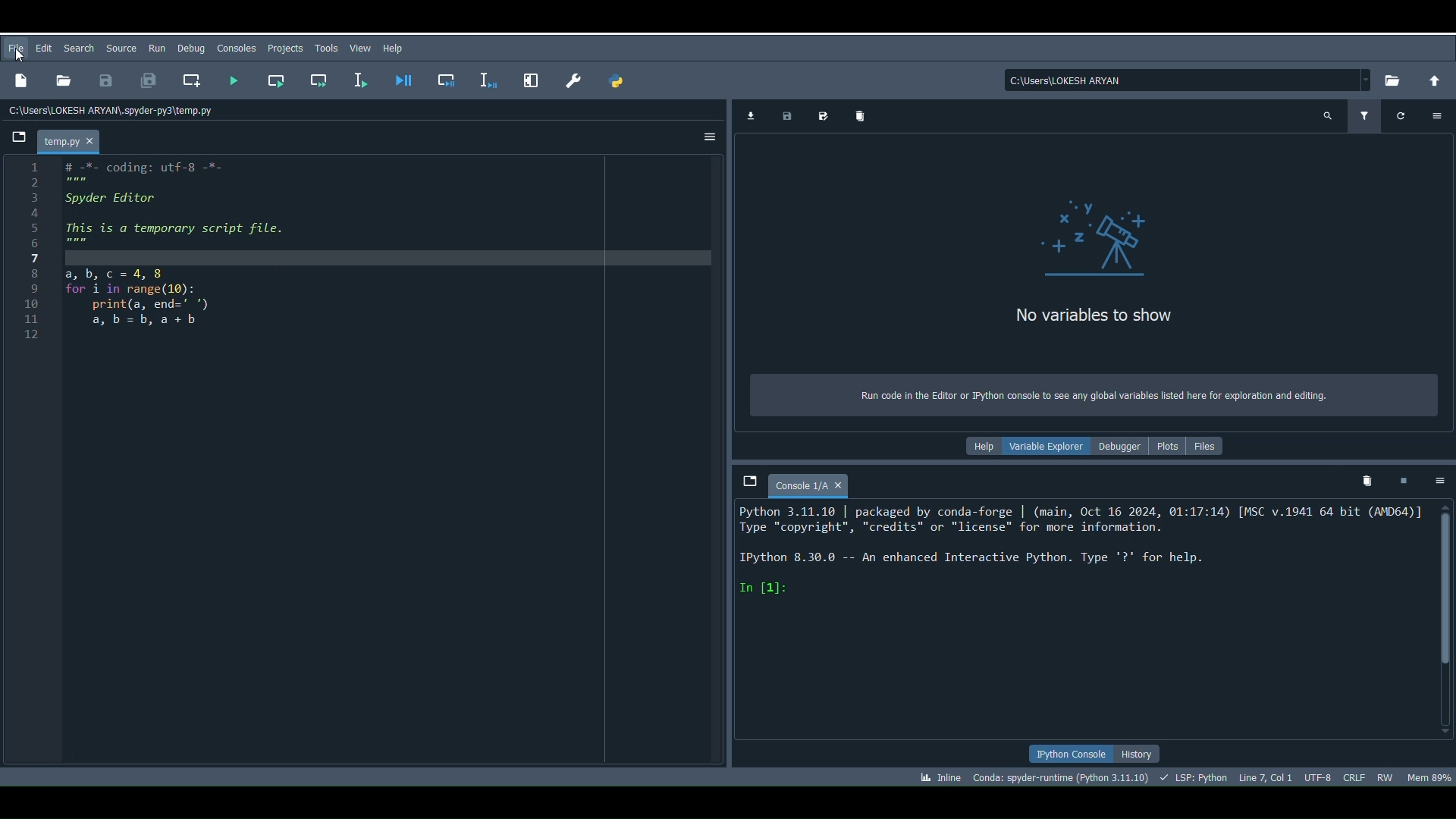 The height and width of the screenshot is (819, 1456). I want to click on Save all files (Ctrl + Alt + S), so click(150, 80).